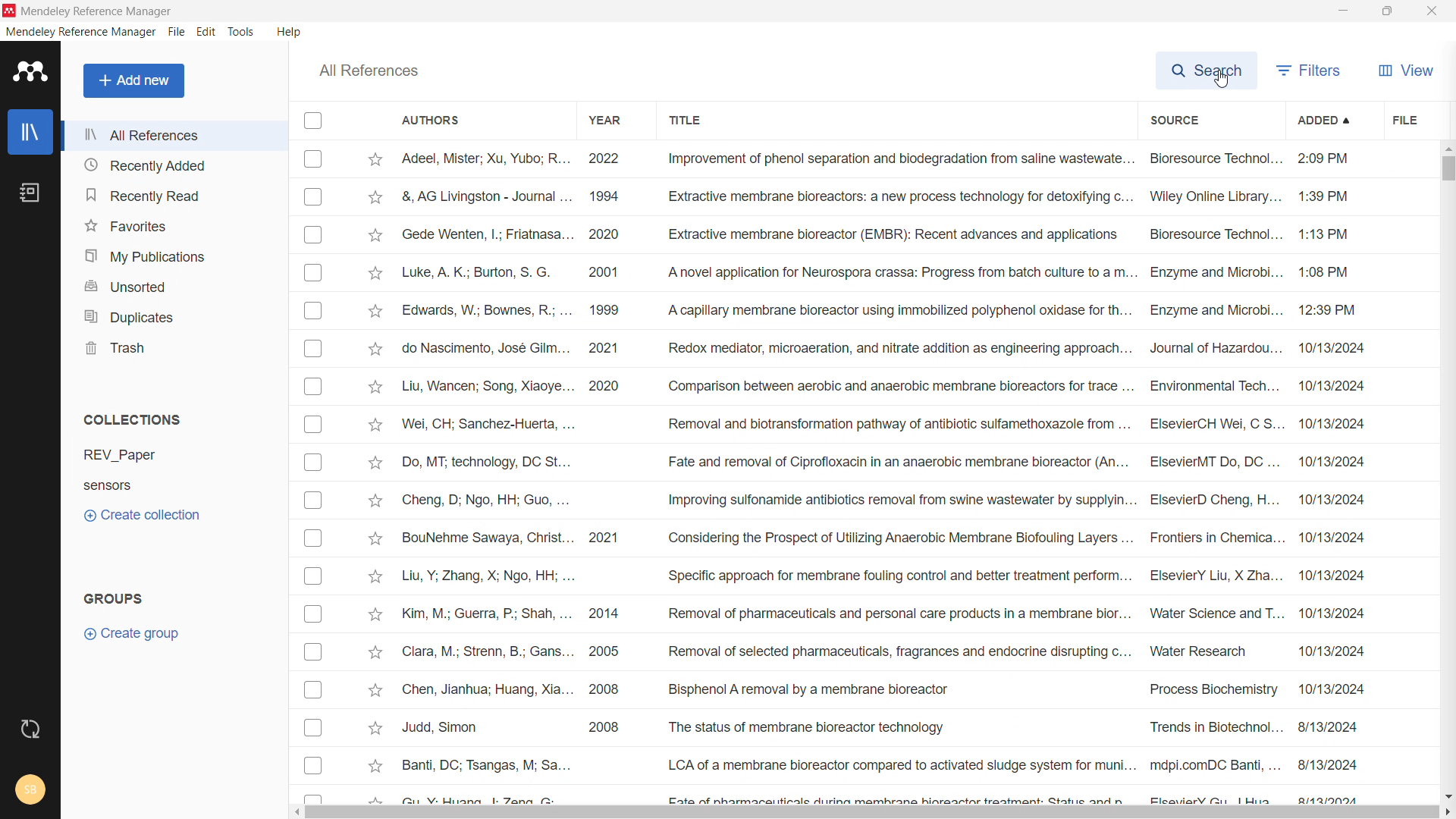  What do you see at coordinates (374, 425) in the screenshot?
I see `Add to favorites` at bounding box center [374, 425].